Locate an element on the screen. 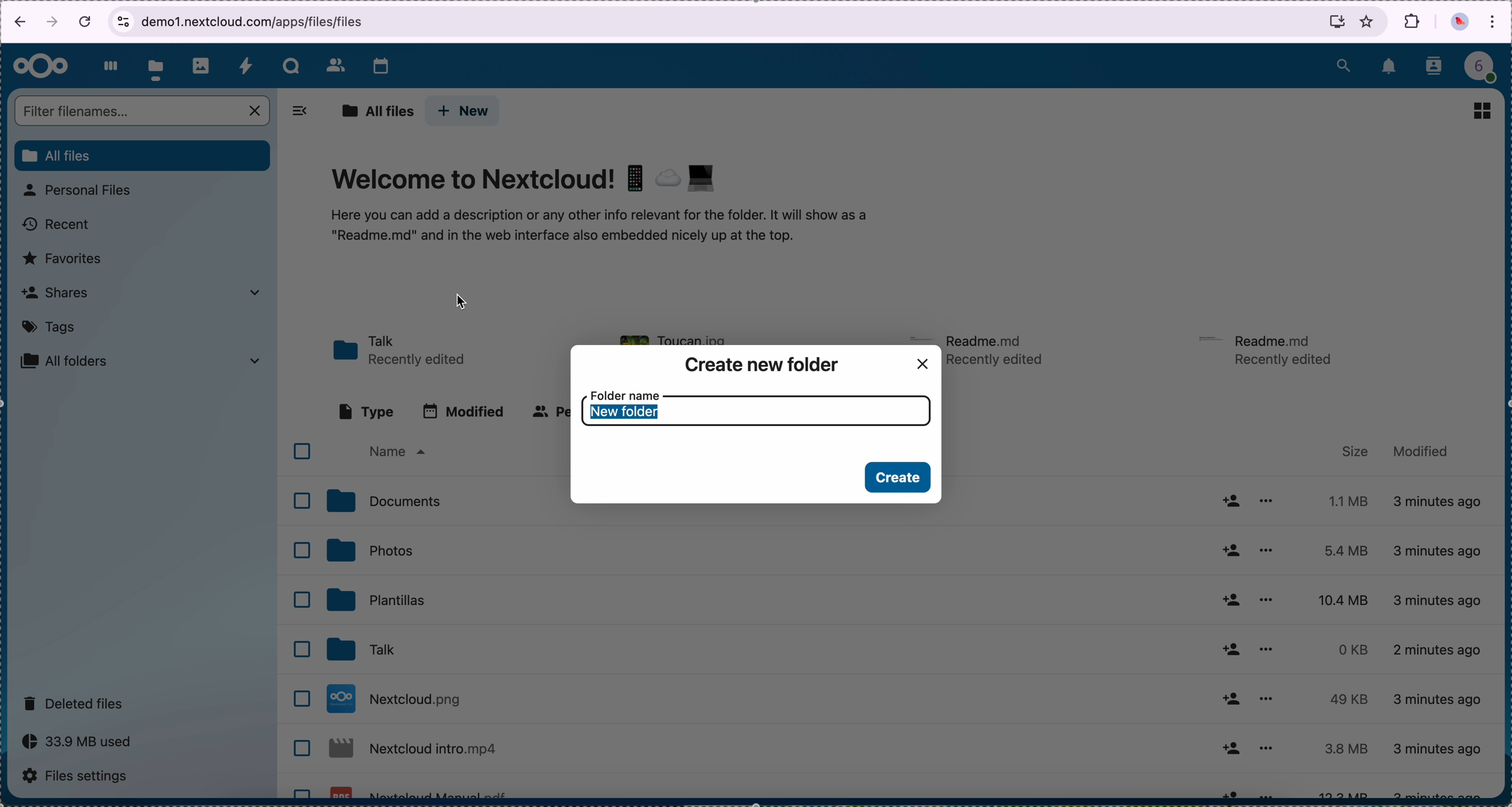 Image resolution: width=1512 pixels, height=807 pixels. 5.4 MB is located at coordinates (1337, 551).